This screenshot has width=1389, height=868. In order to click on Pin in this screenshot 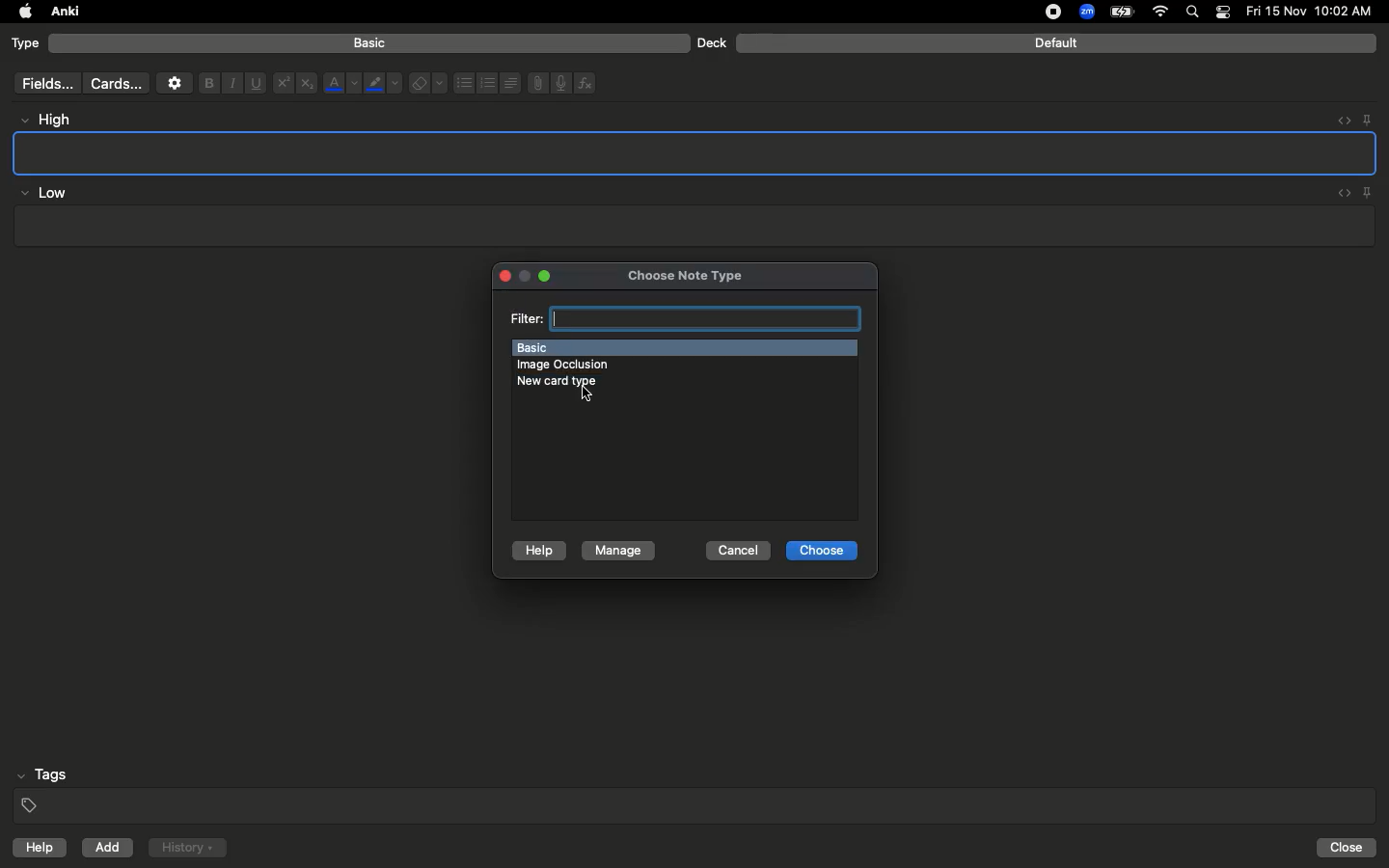, I will do `click(1367, 119)`.